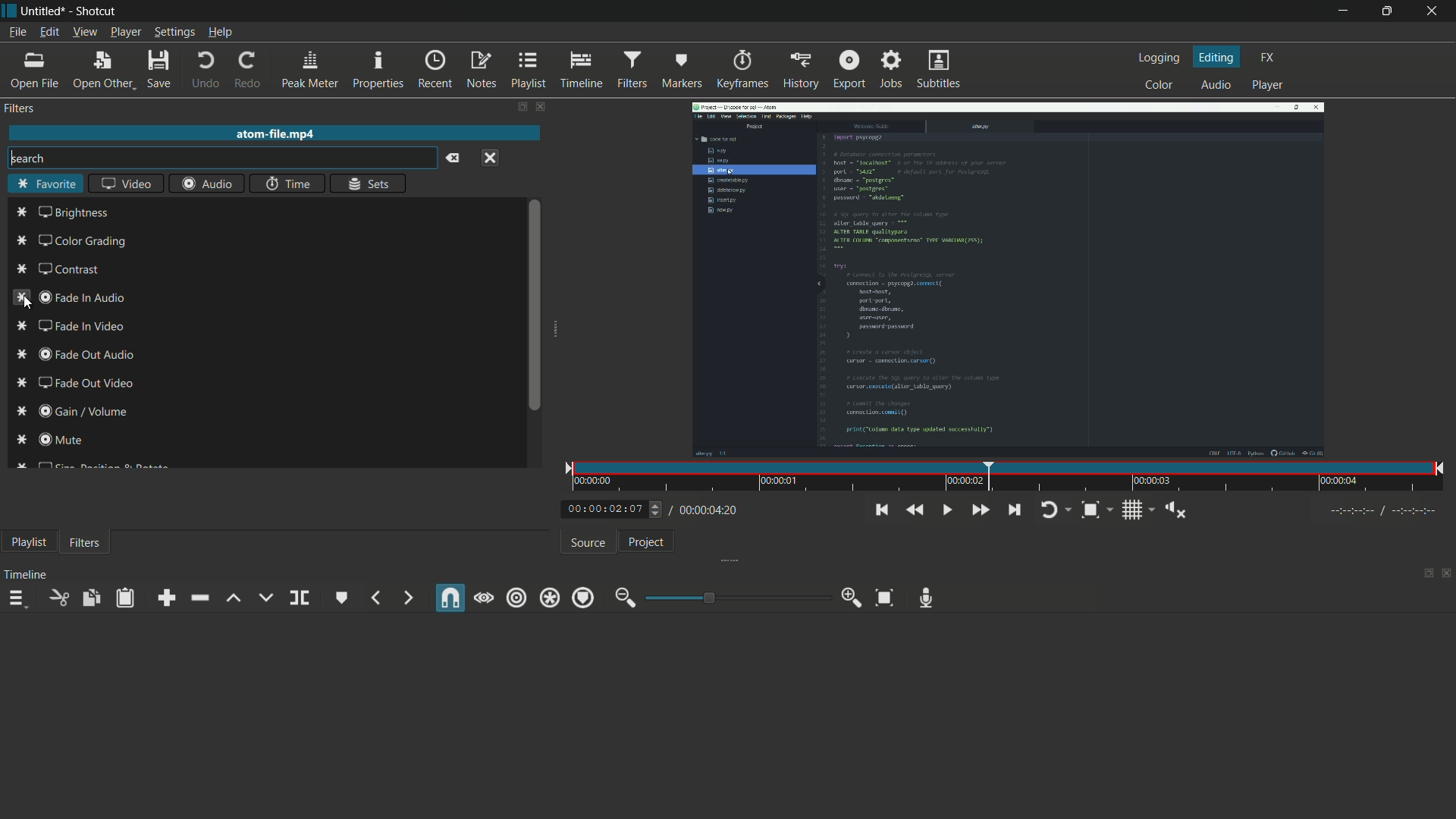 This screenshot has width=1456, height=819. I want to click on app icon, so click(11, 13).